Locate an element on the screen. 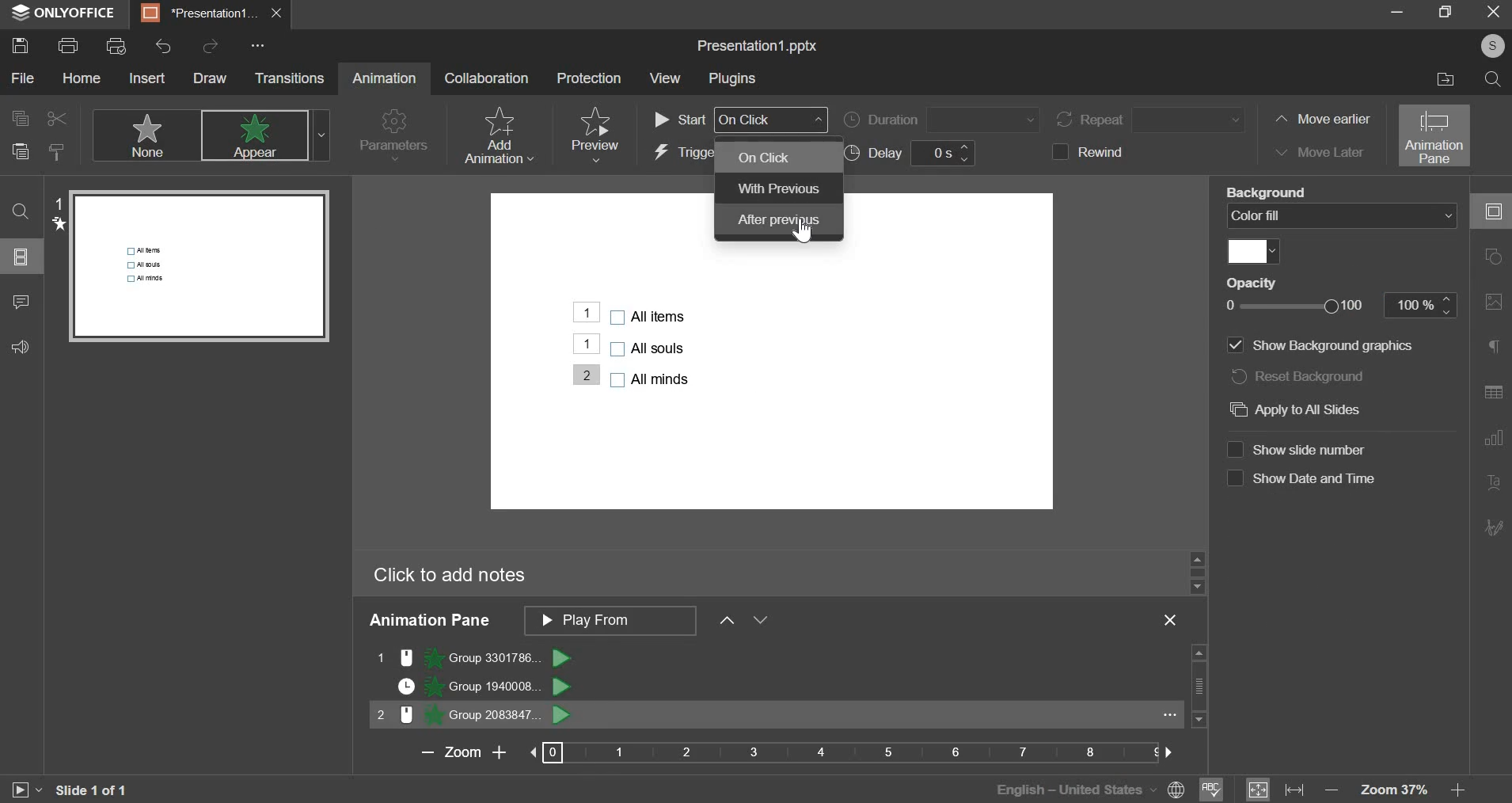 The image size is (1512, 803). animation 3 is located at coordinates (471, 715).